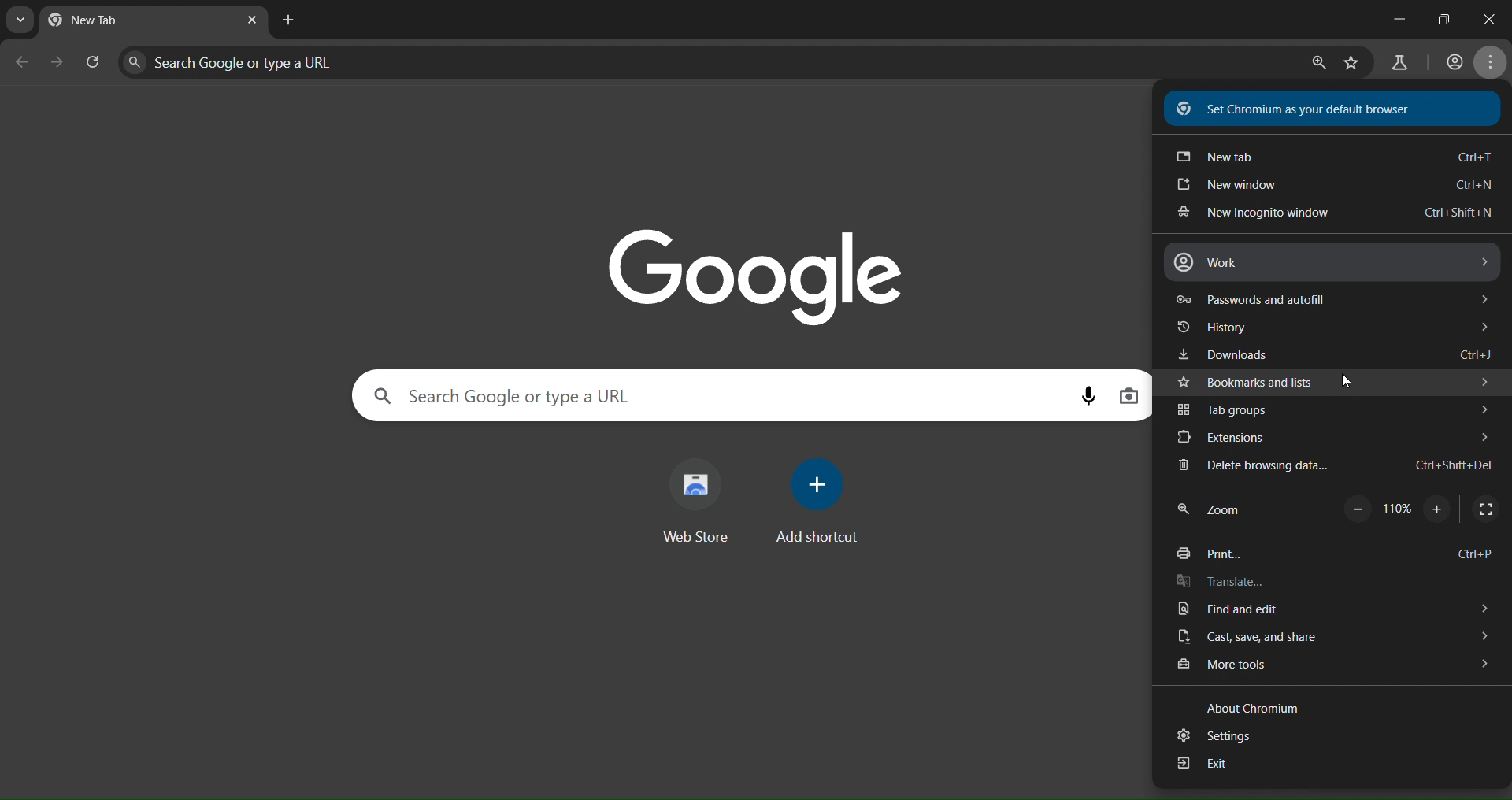  What do you see at coordinates (1357, 509) in the screenshot?
I see `zoom out` at bounding box center [1357, 509].